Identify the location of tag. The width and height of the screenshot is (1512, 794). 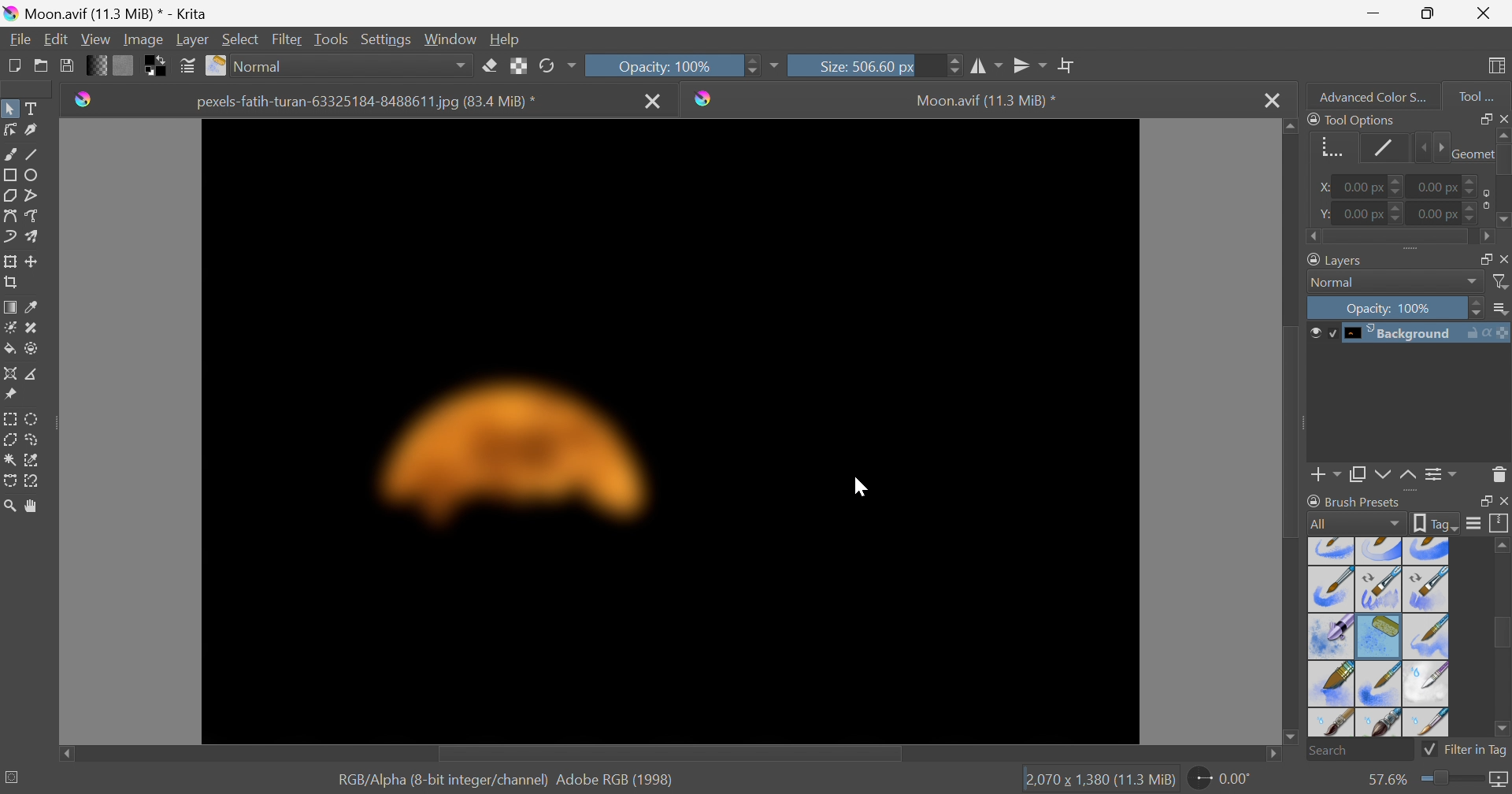
(1436, 524).